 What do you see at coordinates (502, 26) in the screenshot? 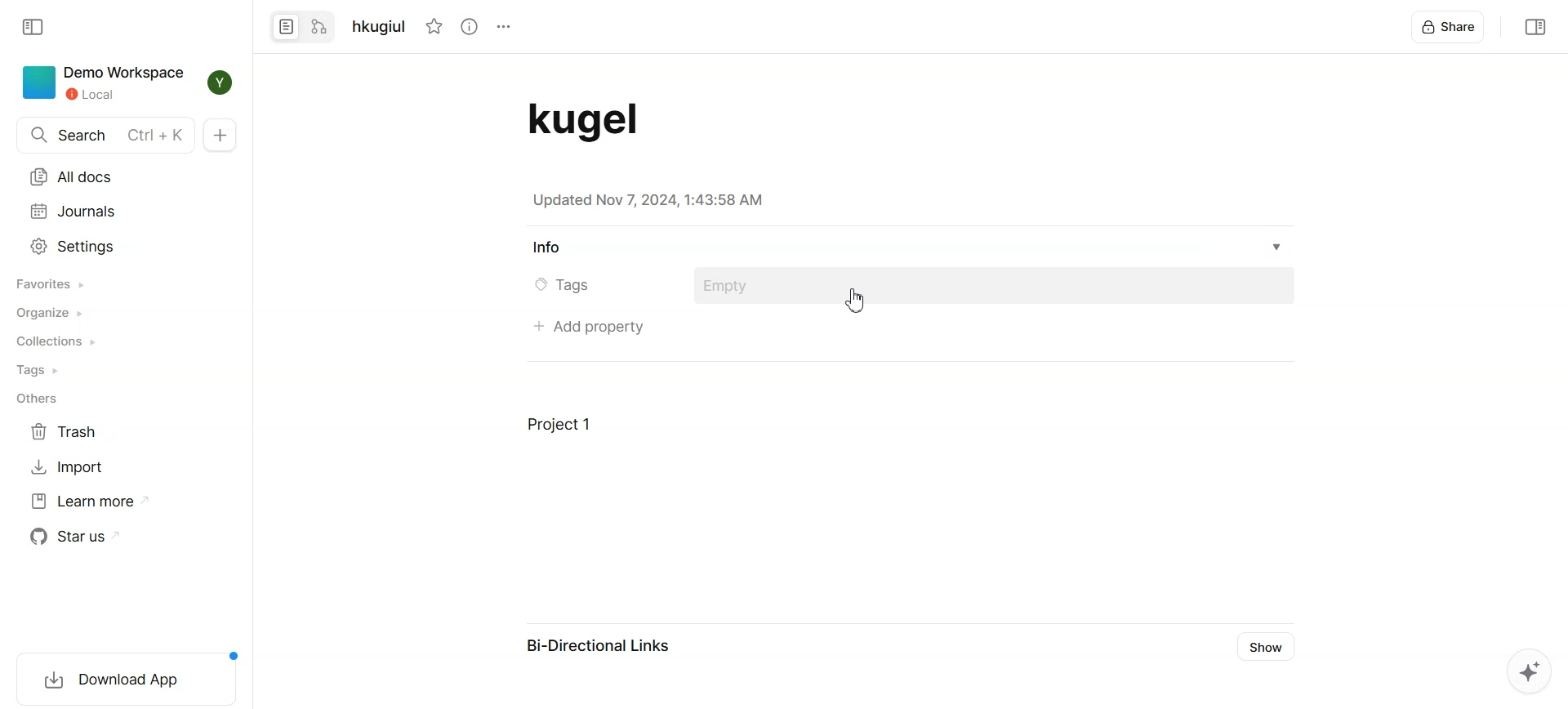
I see `options` at bounding box center [502, 26].